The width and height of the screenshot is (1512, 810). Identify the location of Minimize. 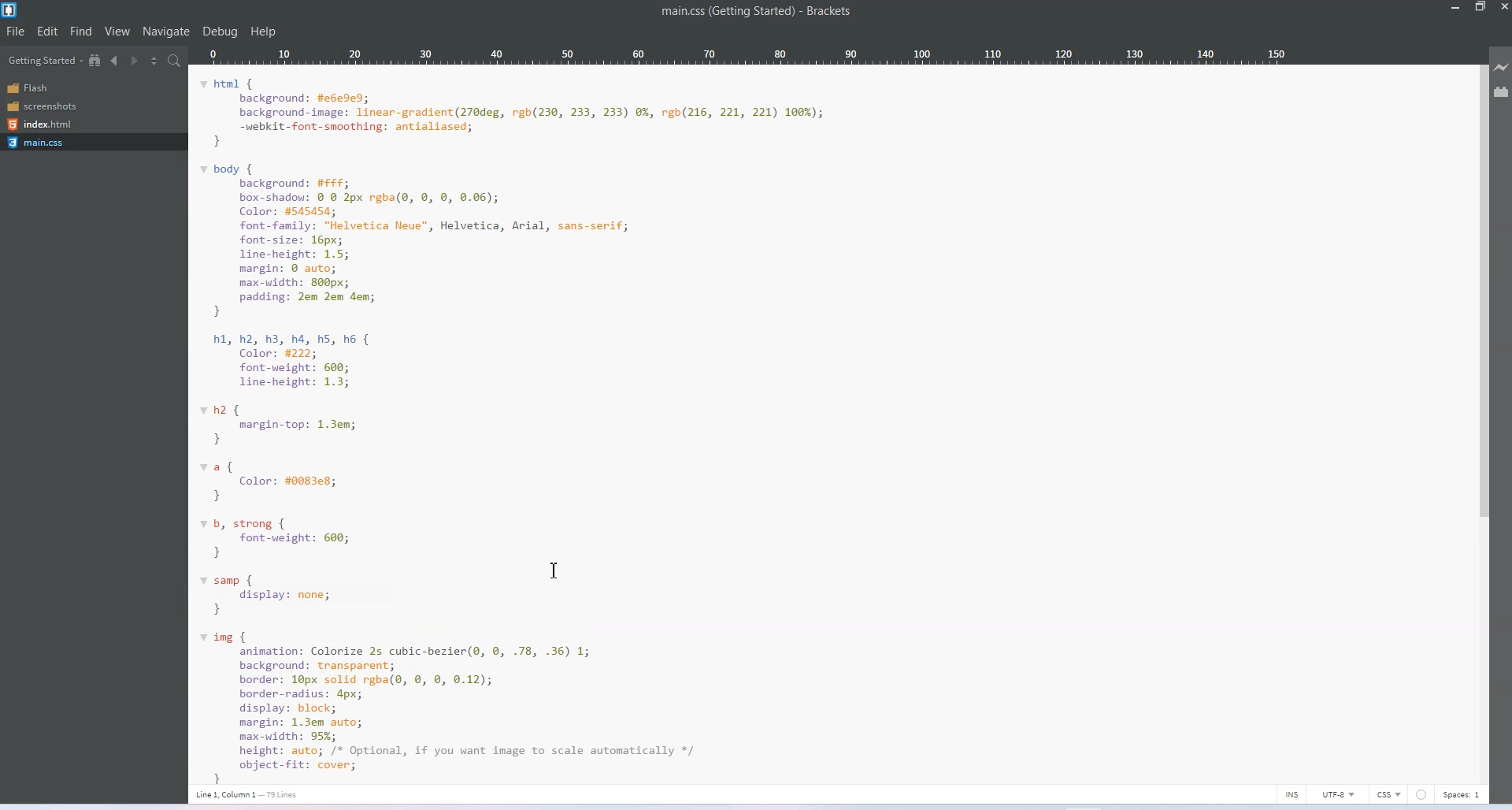
(1456, 7).